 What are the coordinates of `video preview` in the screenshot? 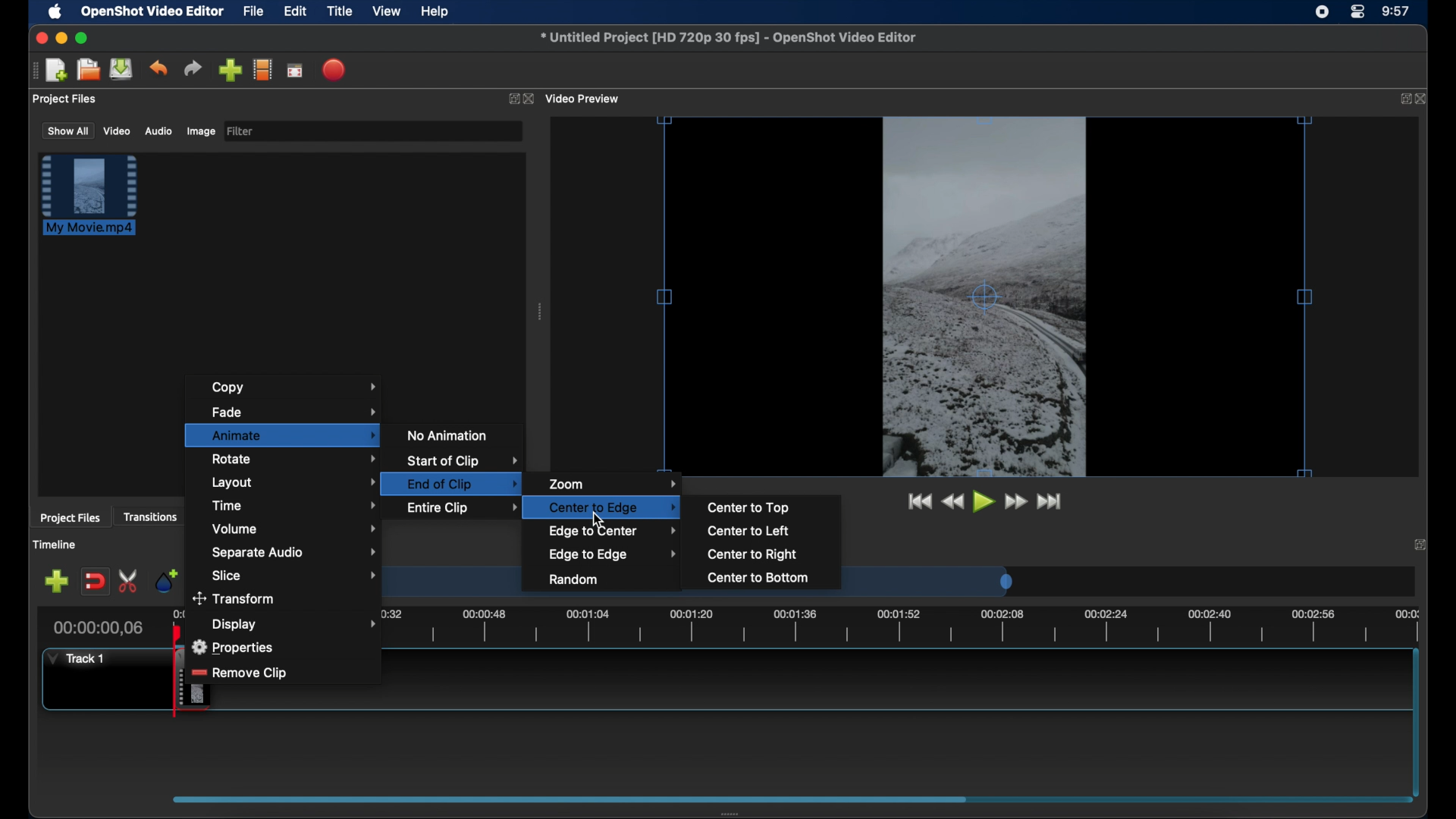 It's located at (584, 99).